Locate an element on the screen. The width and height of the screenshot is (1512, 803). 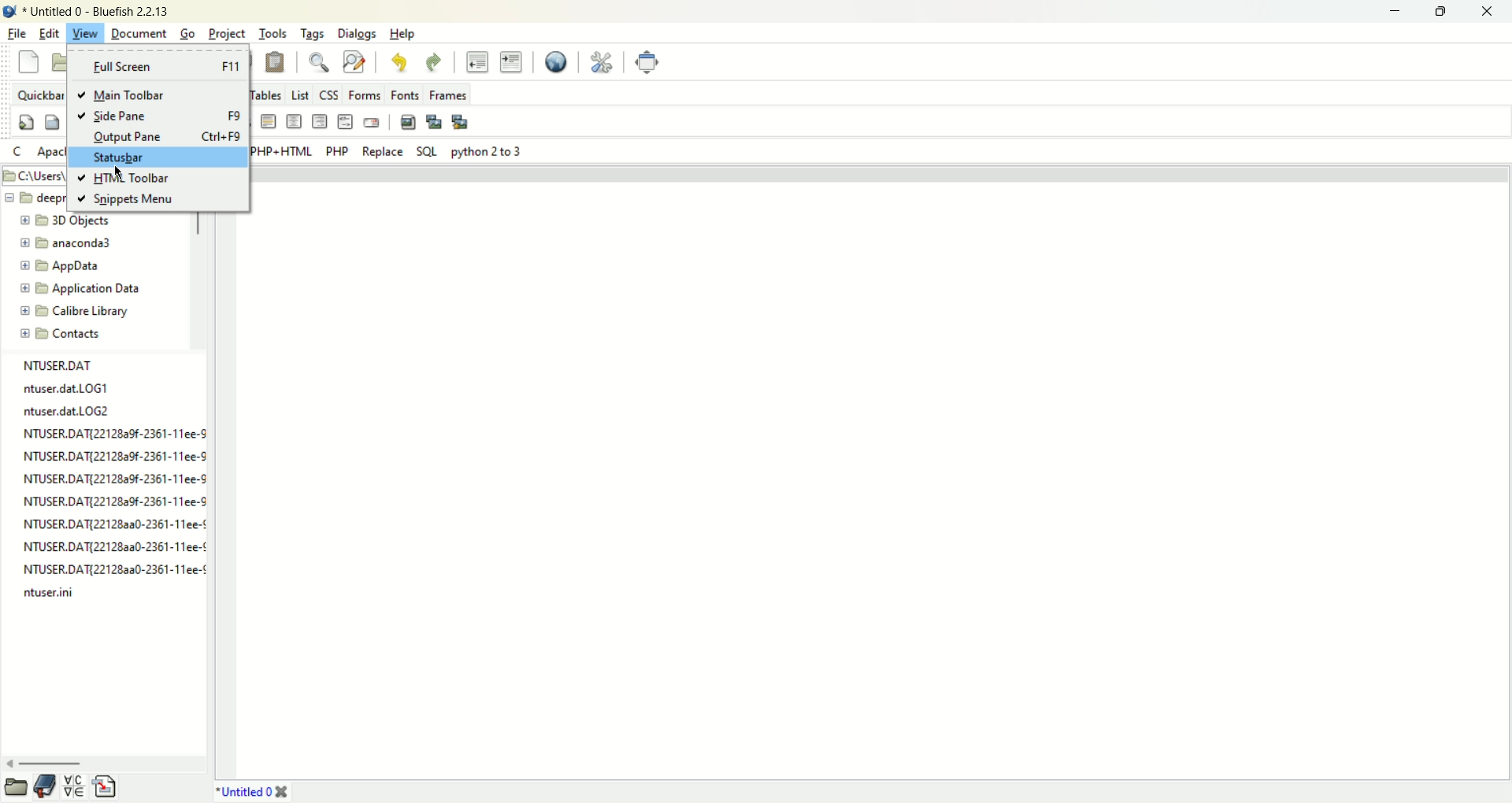
file browser is located at coordinates (17, 789).